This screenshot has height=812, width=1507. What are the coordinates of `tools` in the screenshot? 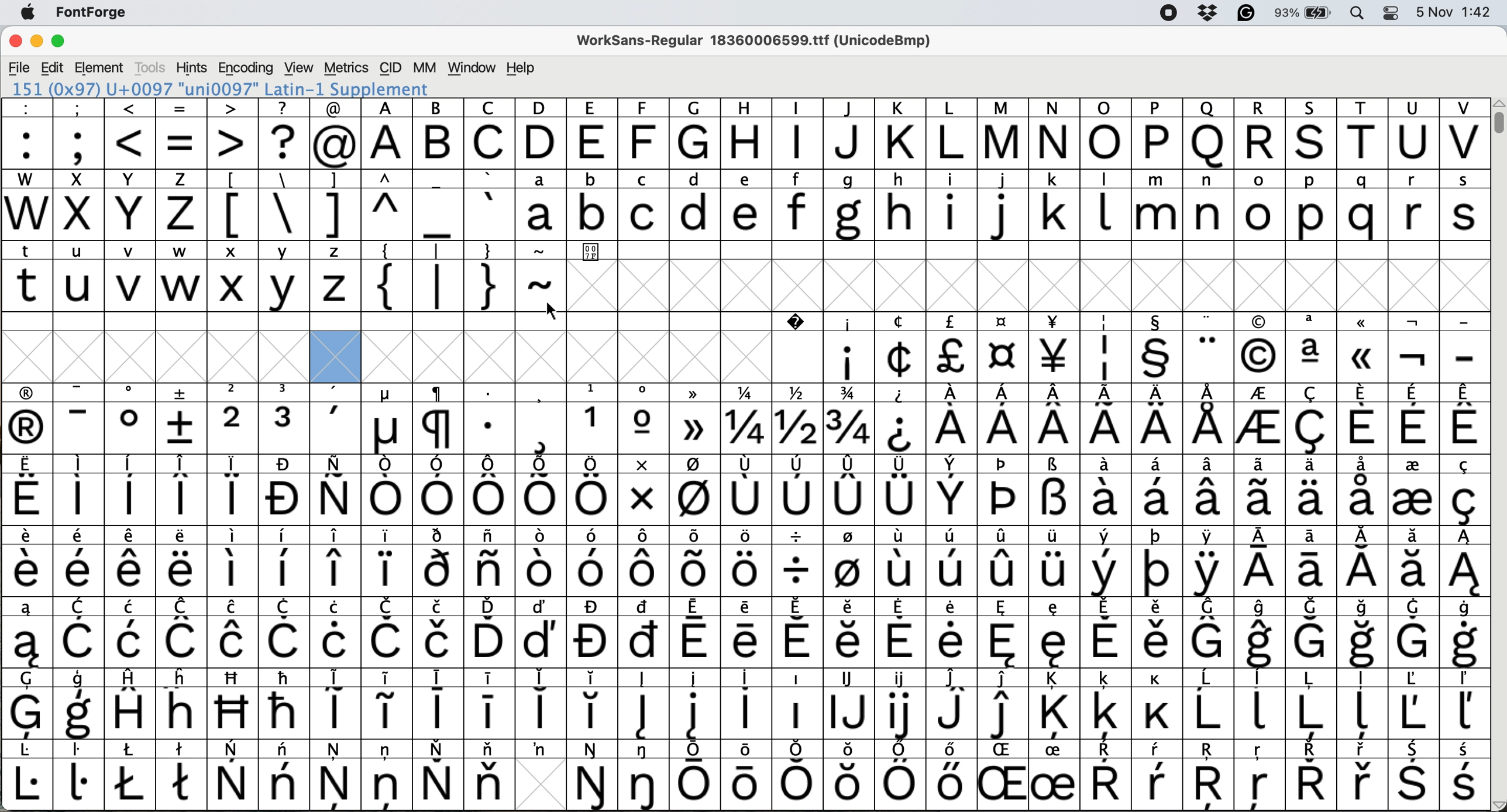 It's located at (149, 67).